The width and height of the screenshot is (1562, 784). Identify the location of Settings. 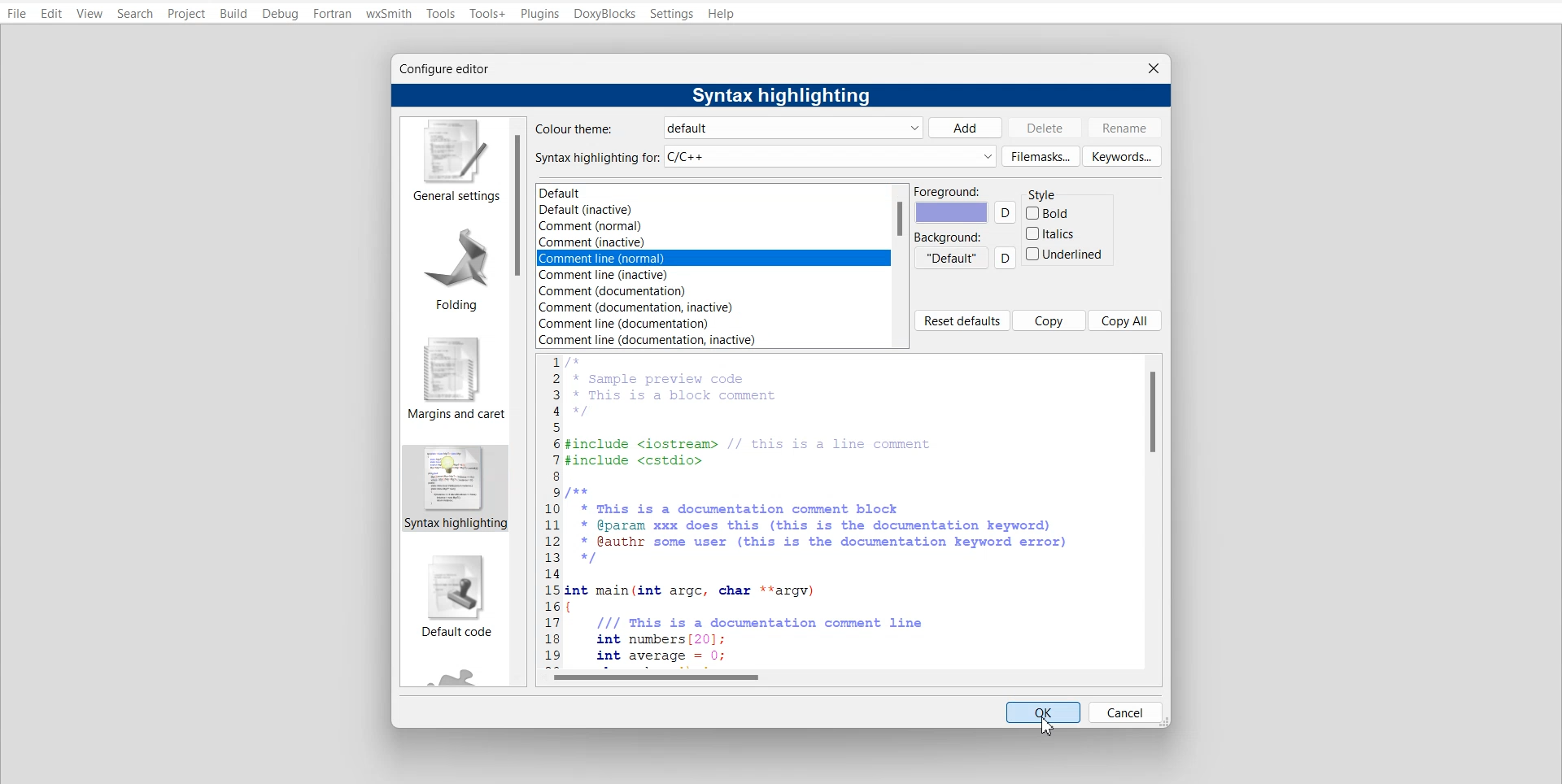
(672, 14).